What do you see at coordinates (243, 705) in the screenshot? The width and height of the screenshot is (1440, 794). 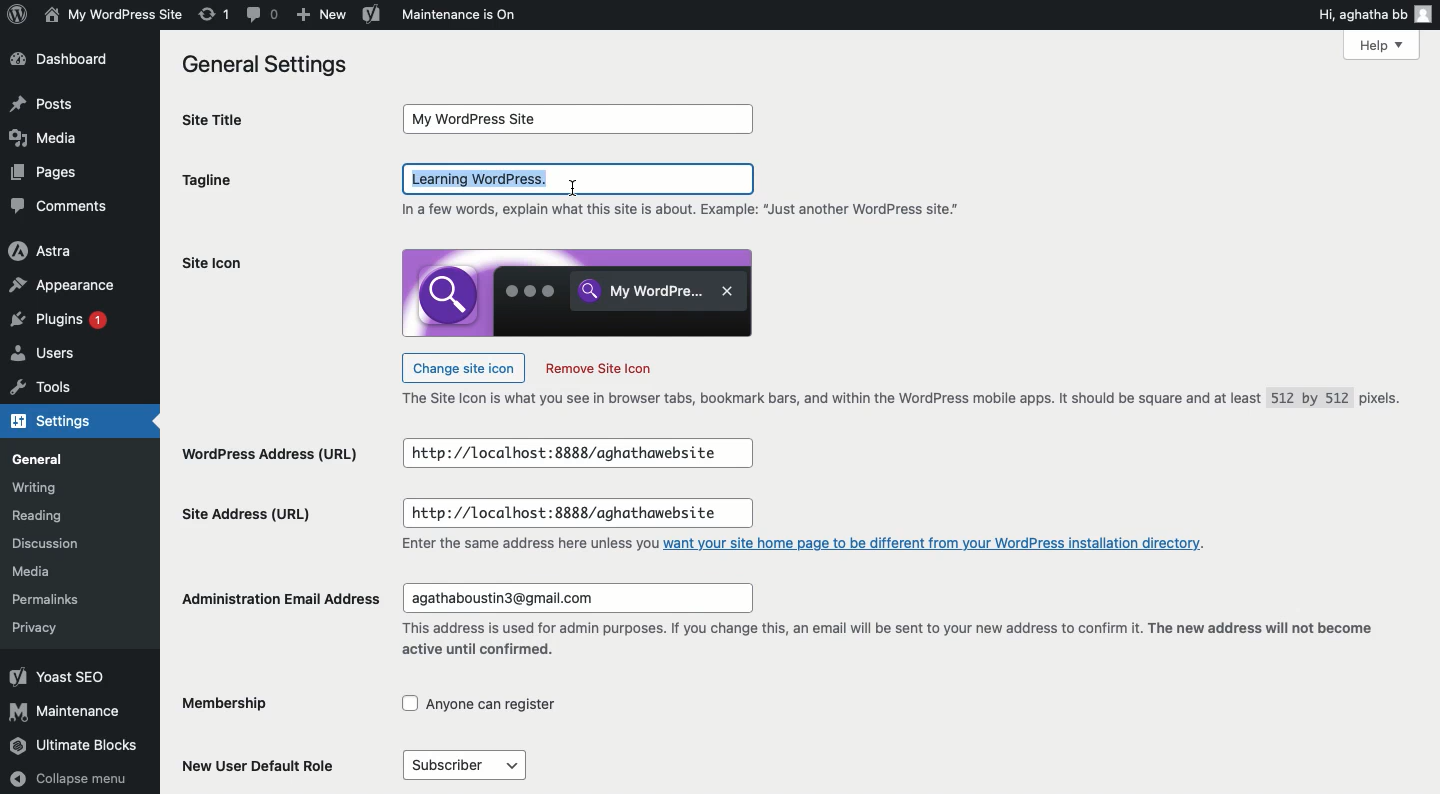 I see `Membership` at bounding box center [243, 705].